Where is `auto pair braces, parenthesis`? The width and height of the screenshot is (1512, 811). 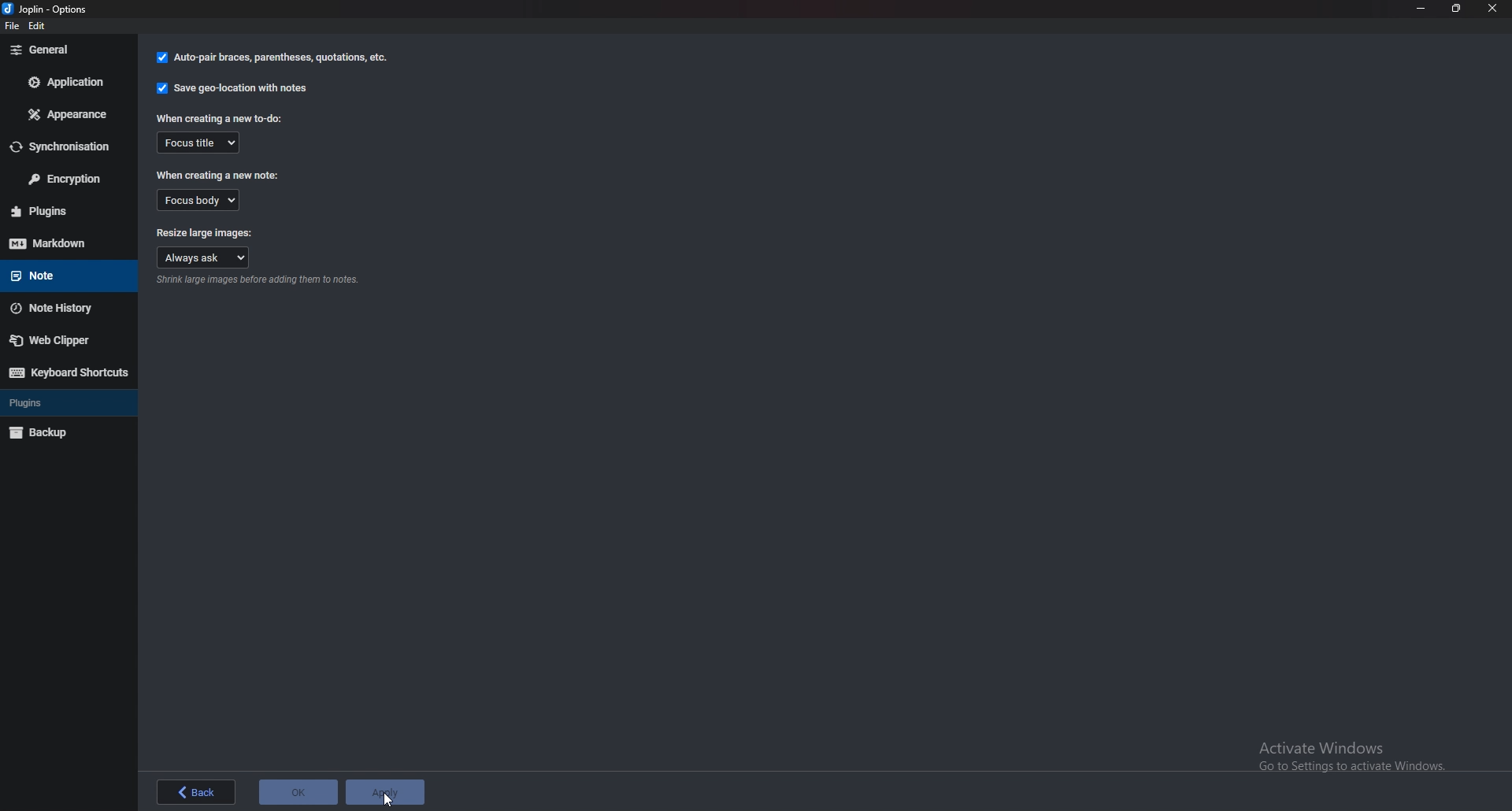
auto pair braces, parenthesis is located at coordinates (269, 61).